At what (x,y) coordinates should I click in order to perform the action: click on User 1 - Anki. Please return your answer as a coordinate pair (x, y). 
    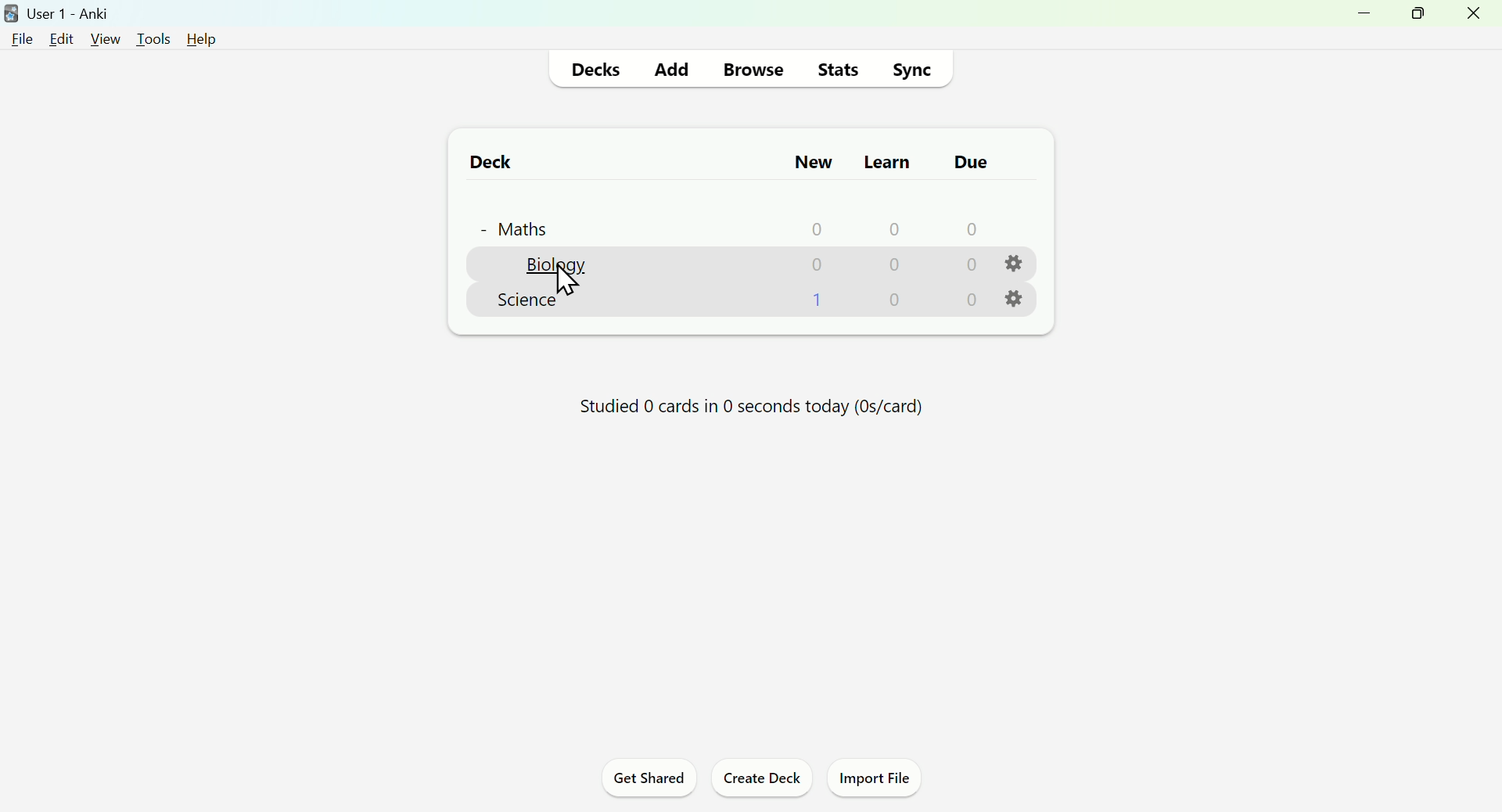
    Looking at the image, I should click on (61, 12).